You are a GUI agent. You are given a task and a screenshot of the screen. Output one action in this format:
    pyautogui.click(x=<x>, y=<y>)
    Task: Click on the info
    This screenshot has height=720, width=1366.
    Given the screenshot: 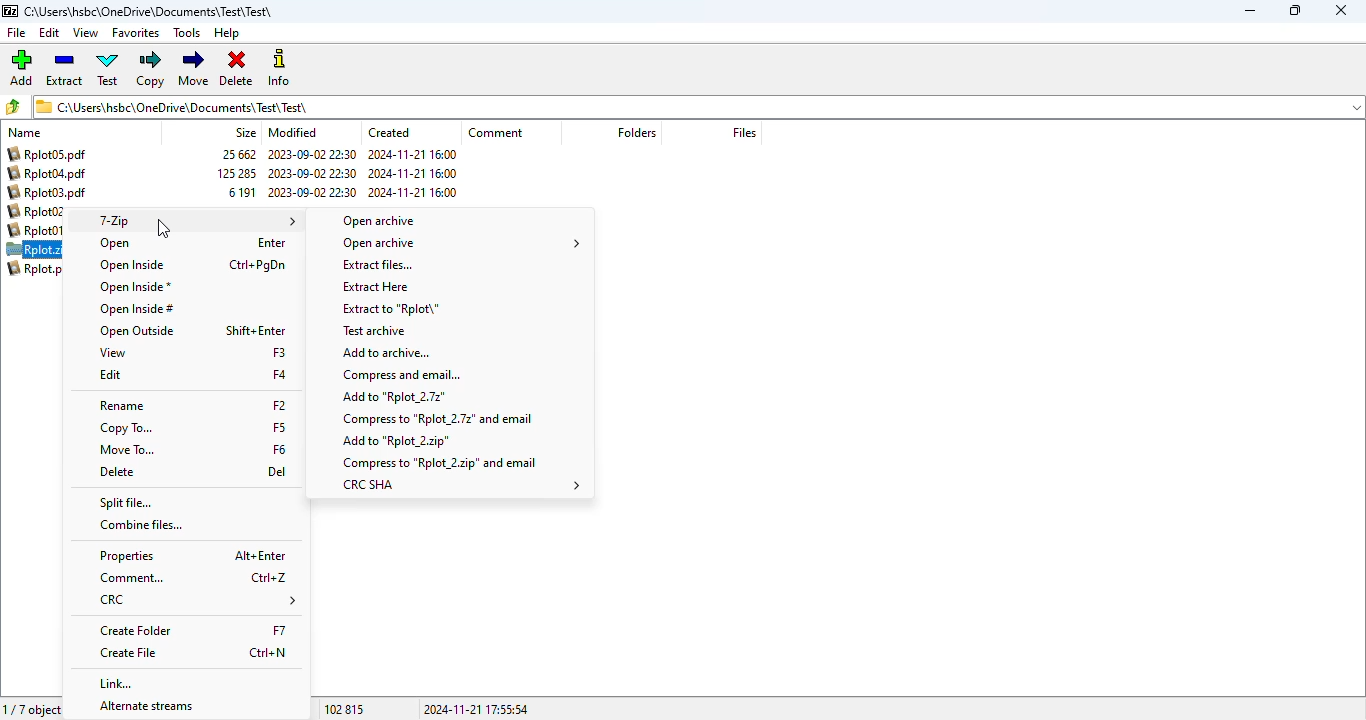 What is the action you would take?
    pyautogui.click(x=277, y=67)
    